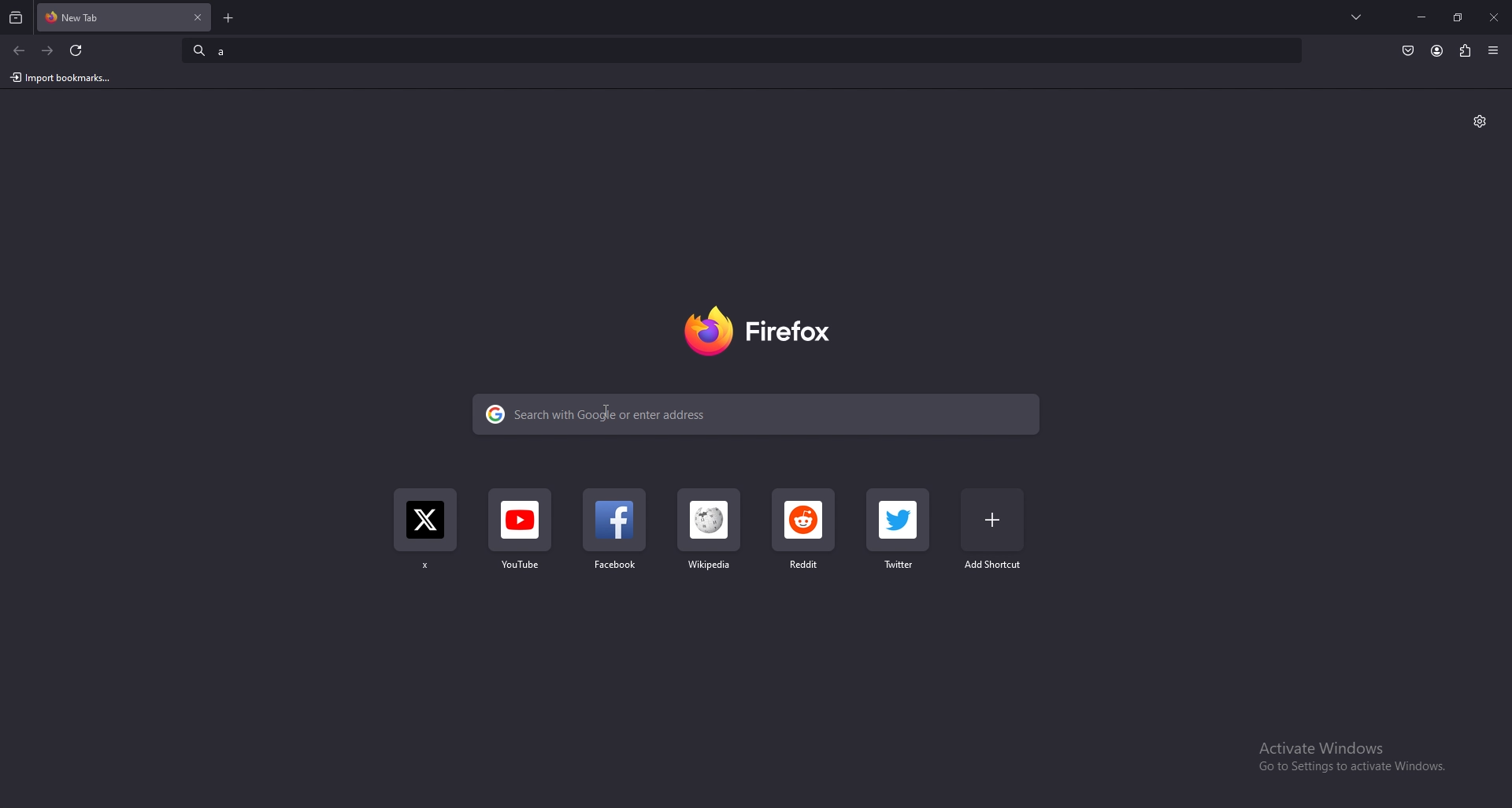  What do you see at coordinates (48, 50) in the screenshot?
I see `forward` at bounding box center [48, 50].